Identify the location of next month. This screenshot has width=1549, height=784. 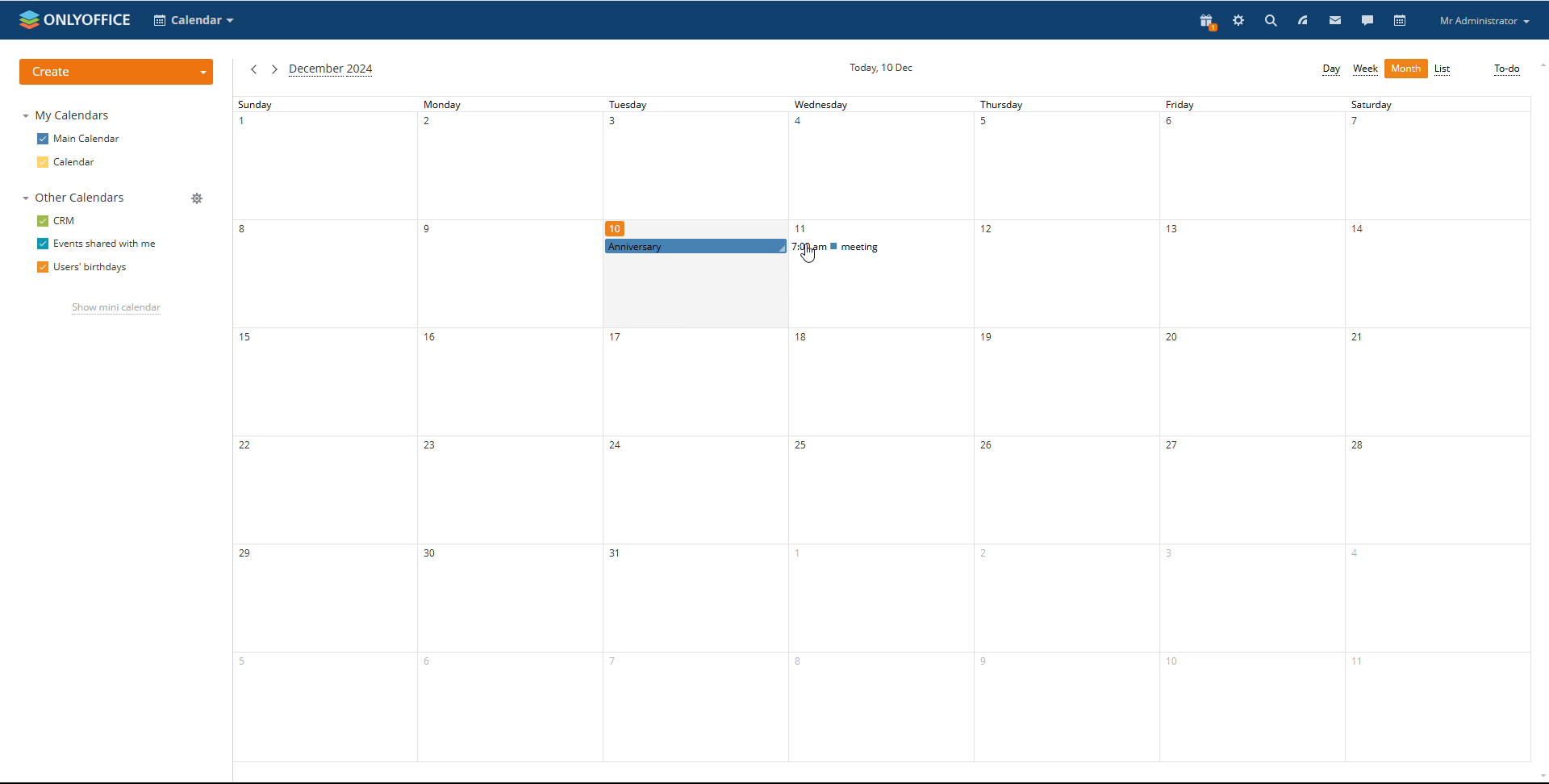
(273, 69).